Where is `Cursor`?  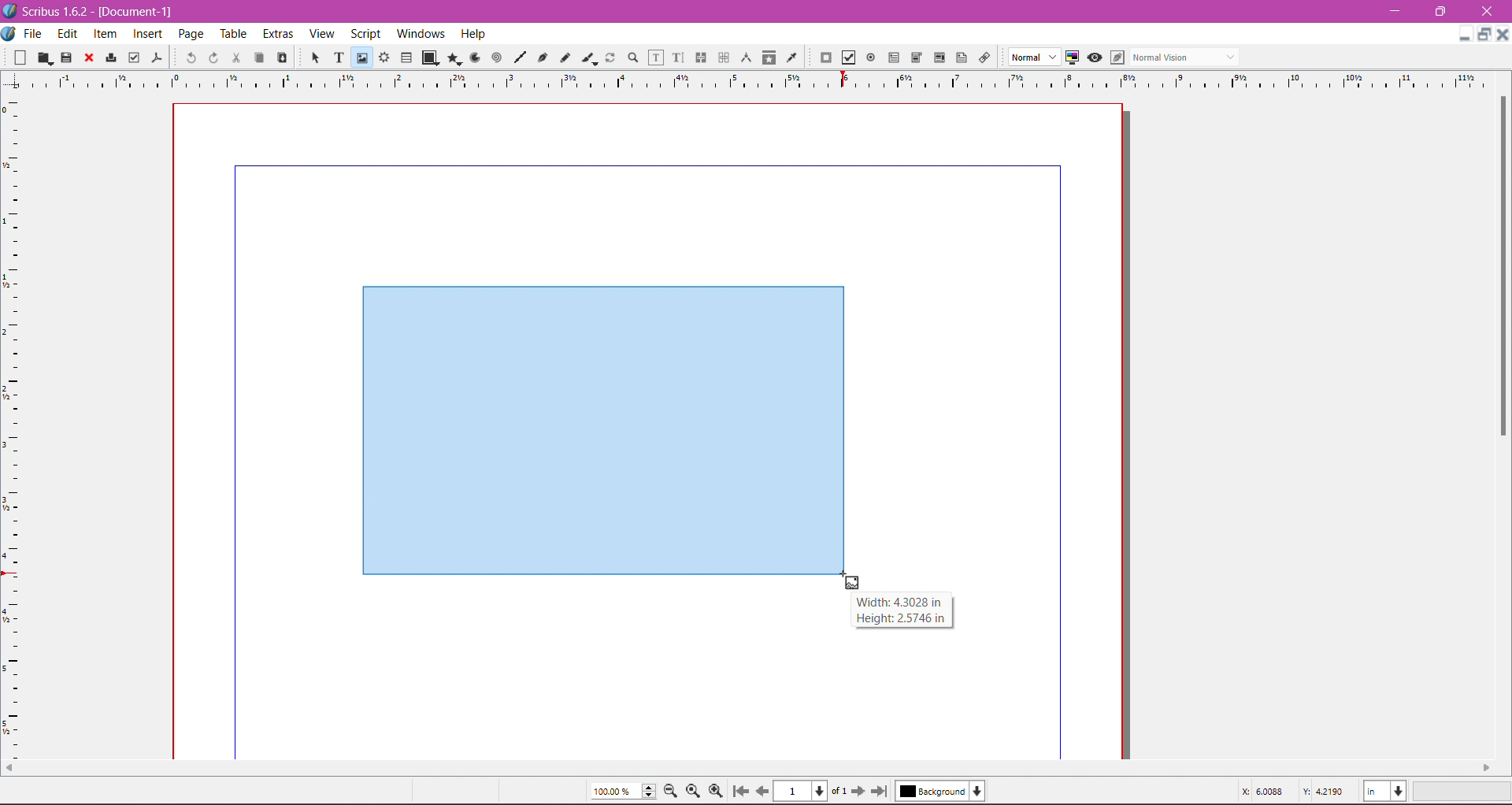 Cursor is located at coordinates (851, 582).